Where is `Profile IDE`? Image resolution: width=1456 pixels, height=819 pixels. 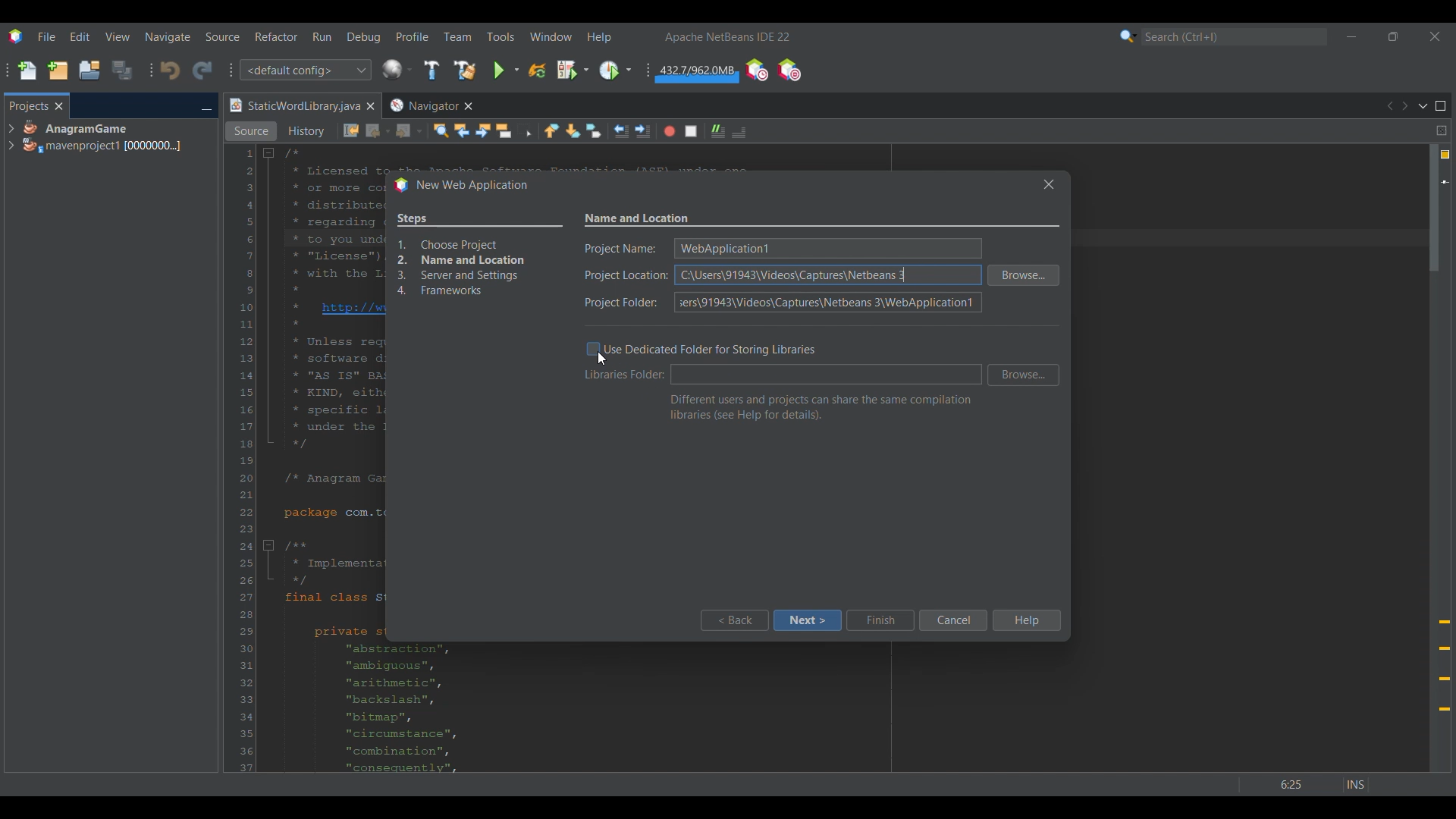 Profile IDE is located at coordinates (756, 71).